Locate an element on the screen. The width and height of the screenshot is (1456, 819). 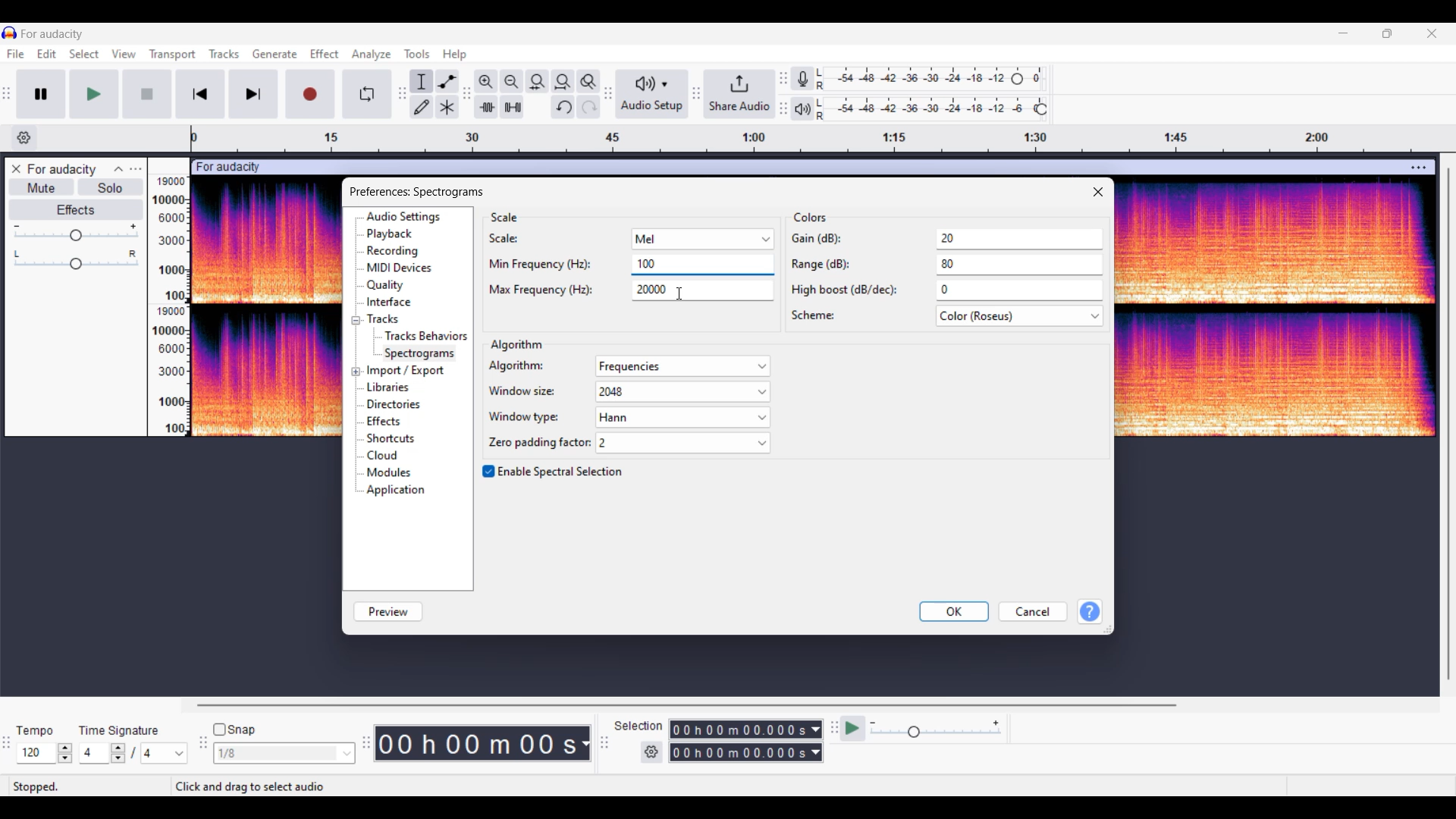
libraries is located at coordinates (391, 388).